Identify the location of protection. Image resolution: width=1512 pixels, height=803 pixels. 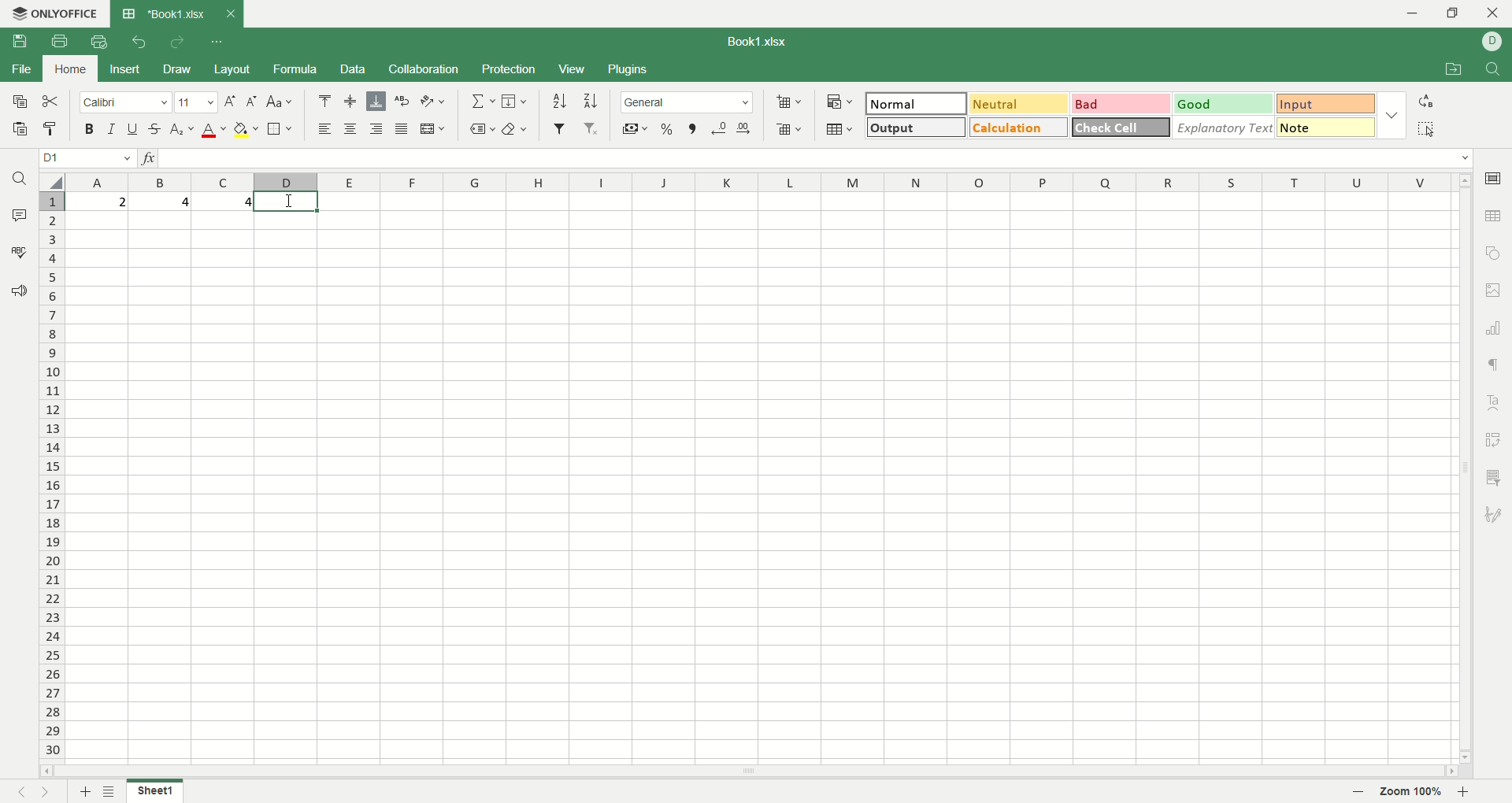
(510, 71).